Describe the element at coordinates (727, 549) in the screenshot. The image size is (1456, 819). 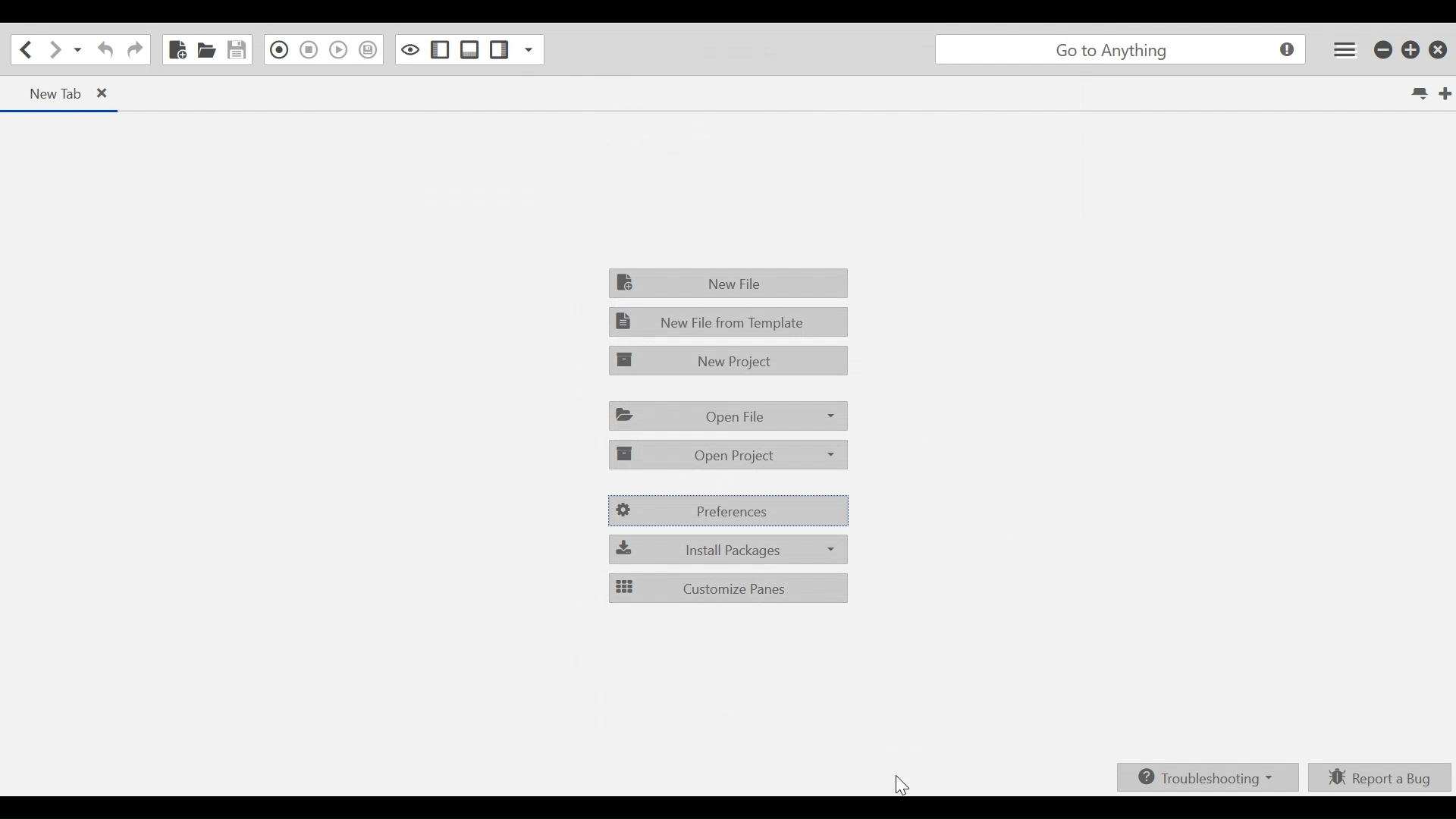
I see `Install packages` at that location.